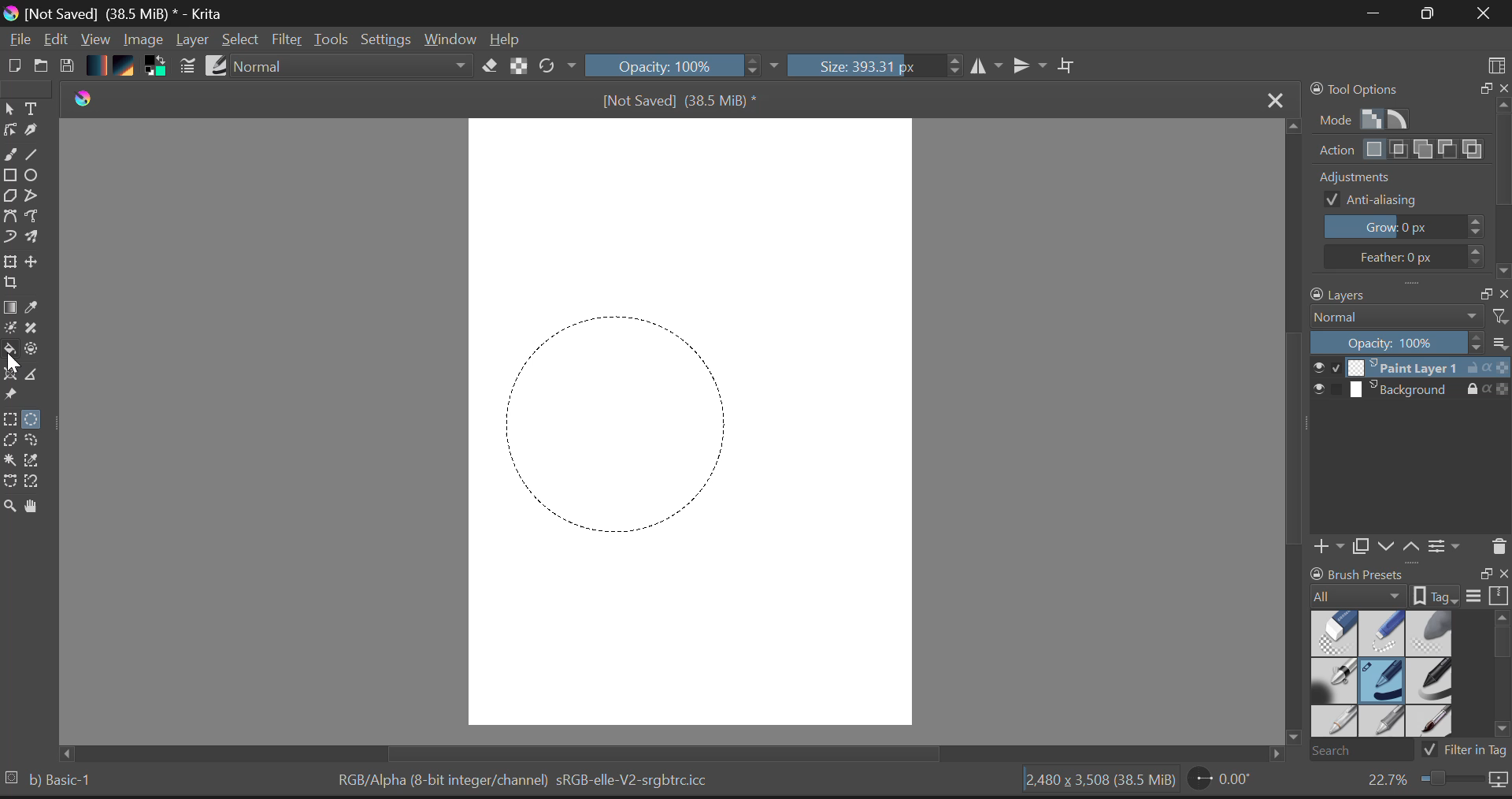 This screenshot has width=1512, height=799. I want to click on Brush Stroke Settings, so click(186, 66).